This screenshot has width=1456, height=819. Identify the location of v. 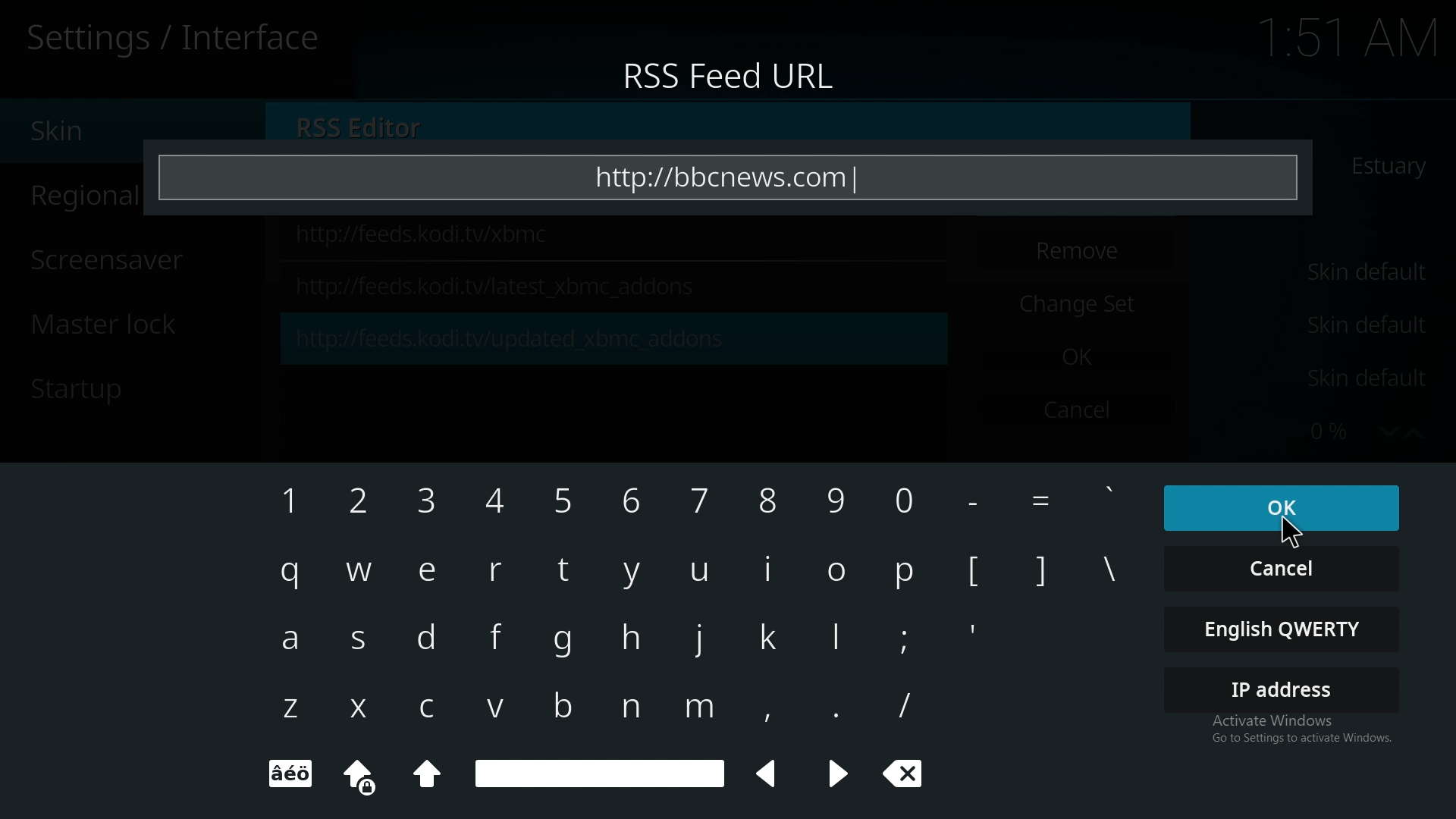
(496, 706).